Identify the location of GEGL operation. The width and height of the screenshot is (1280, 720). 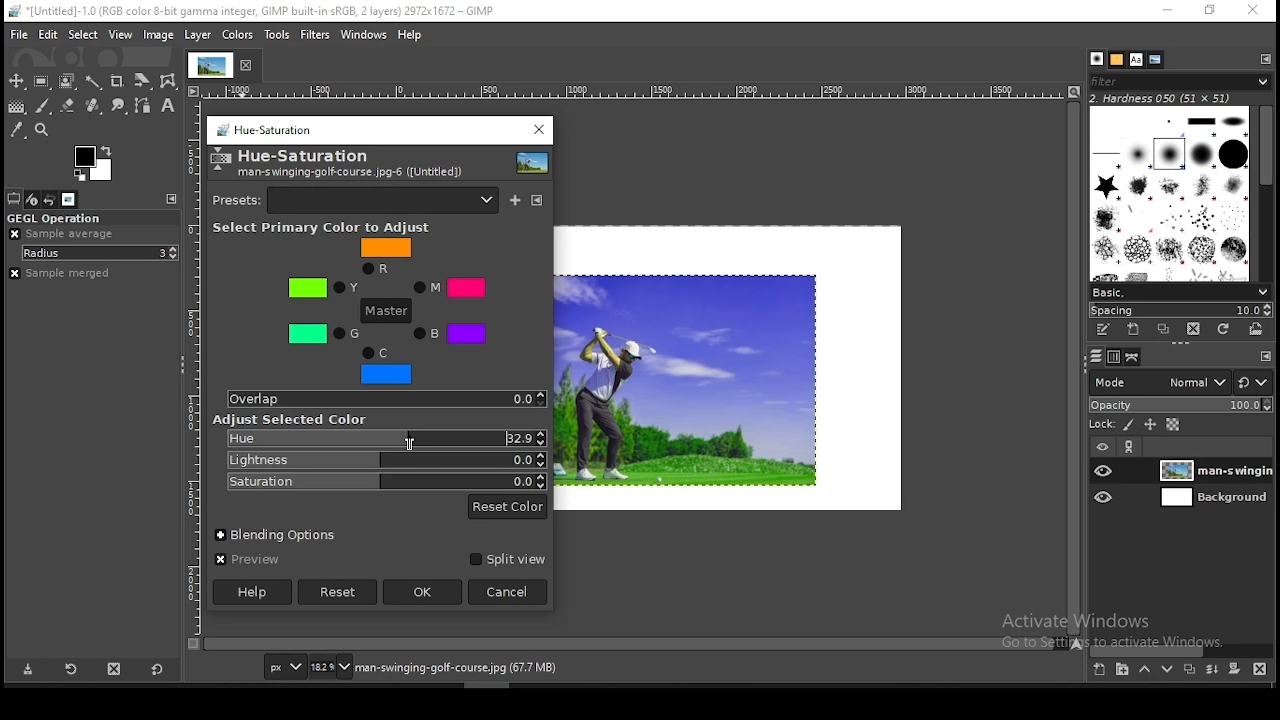
(82, 216).